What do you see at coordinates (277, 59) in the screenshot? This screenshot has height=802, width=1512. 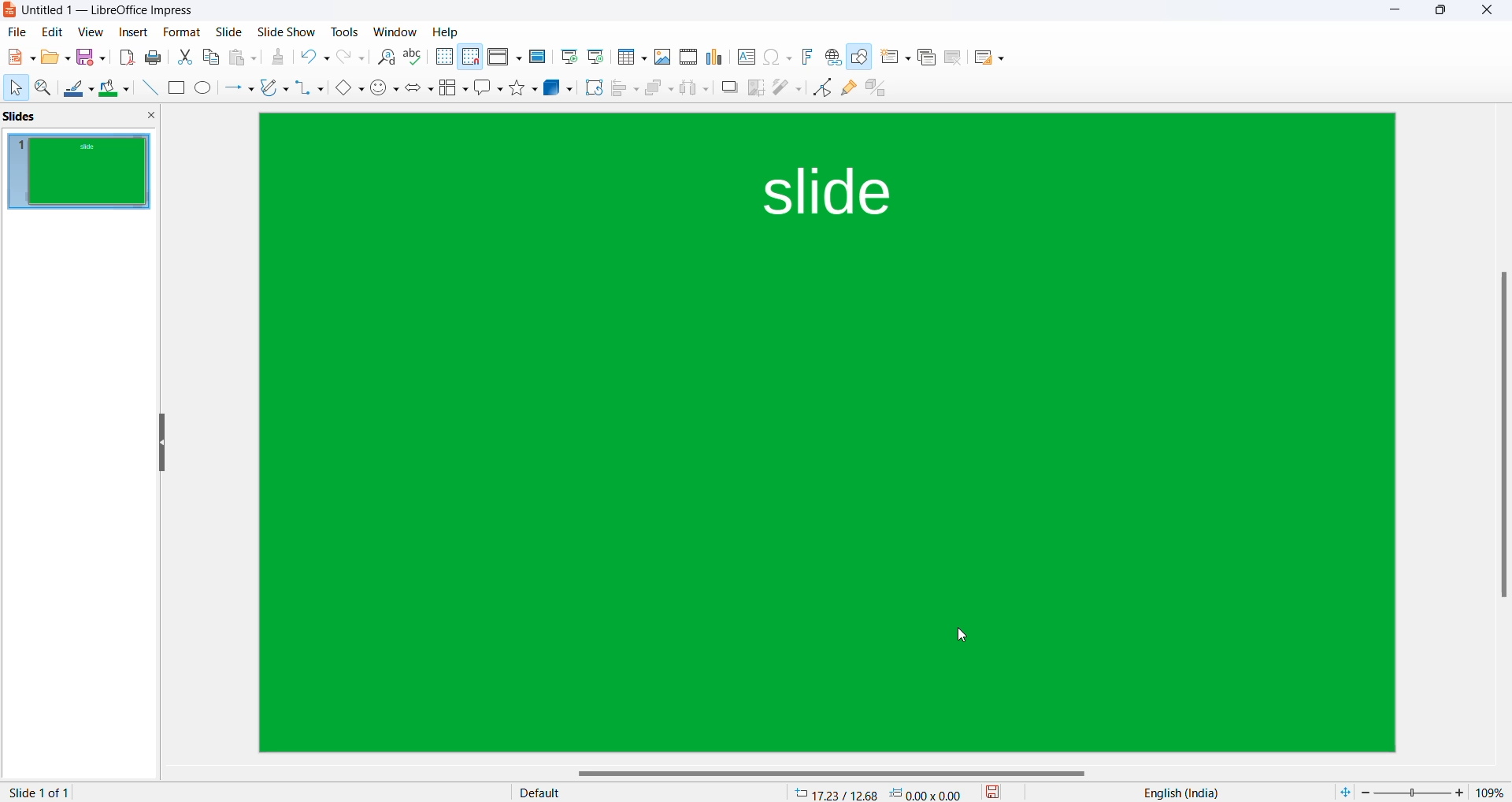 I see `clone formatting` at bounding box center [277, 59].